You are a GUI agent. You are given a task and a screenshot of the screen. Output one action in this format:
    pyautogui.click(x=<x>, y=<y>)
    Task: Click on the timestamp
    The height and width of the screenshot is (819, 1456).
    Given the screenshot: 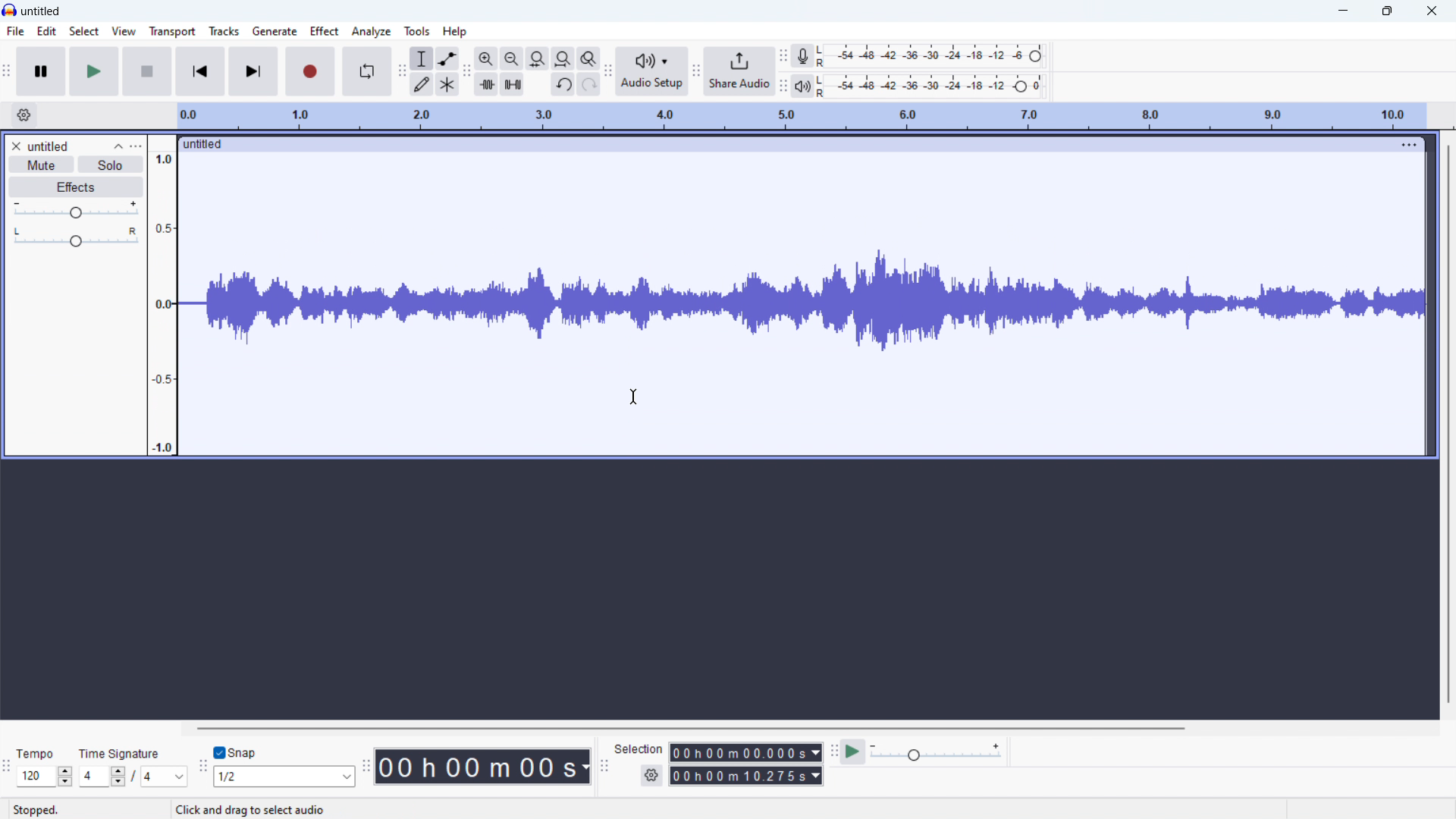 What is the action you would take?
    pyautogui.click(x=484, y=766)
    